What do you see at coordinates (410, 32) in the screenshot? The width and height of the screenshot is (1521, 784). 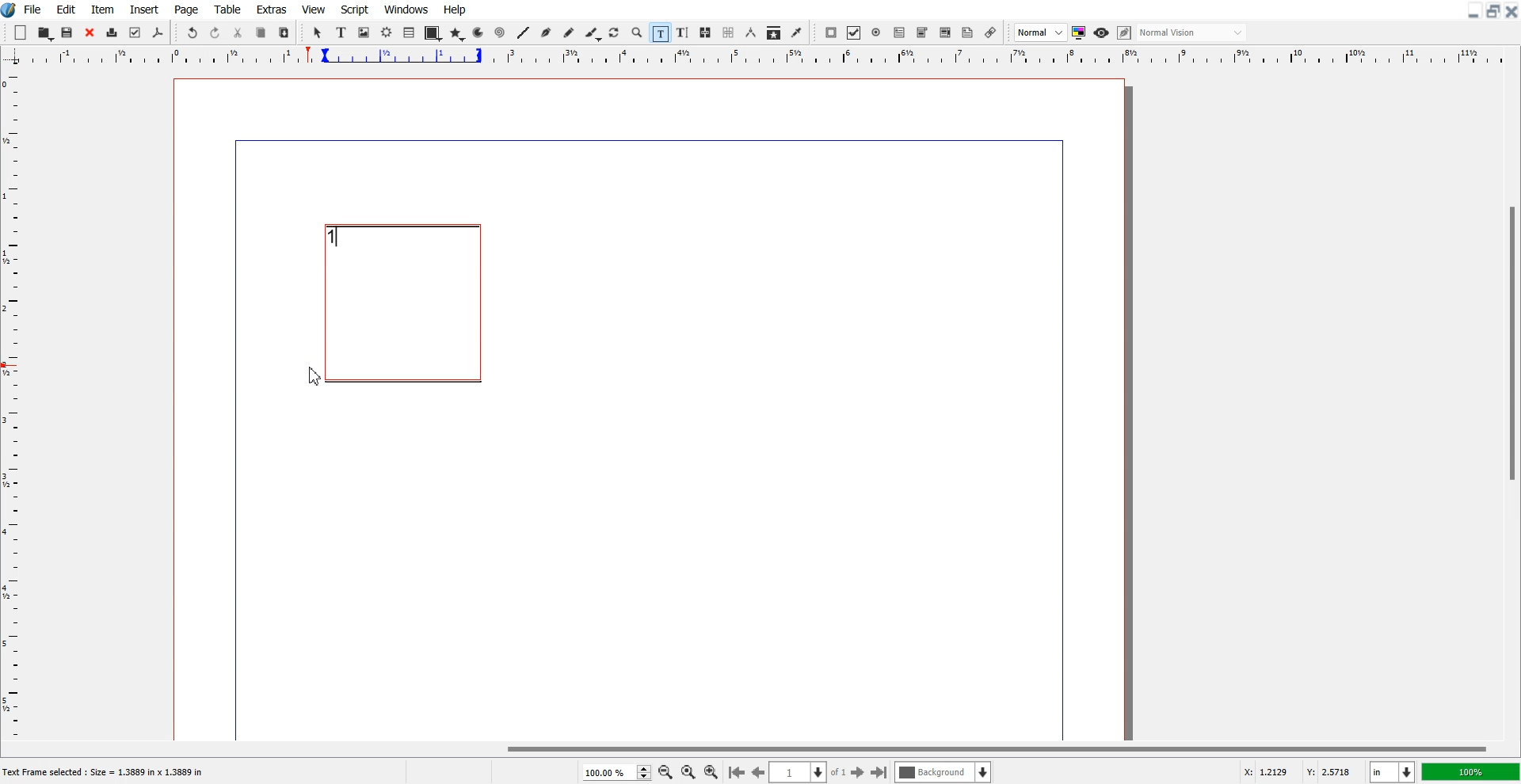 I see `Table` at bounding box center [410, 32].